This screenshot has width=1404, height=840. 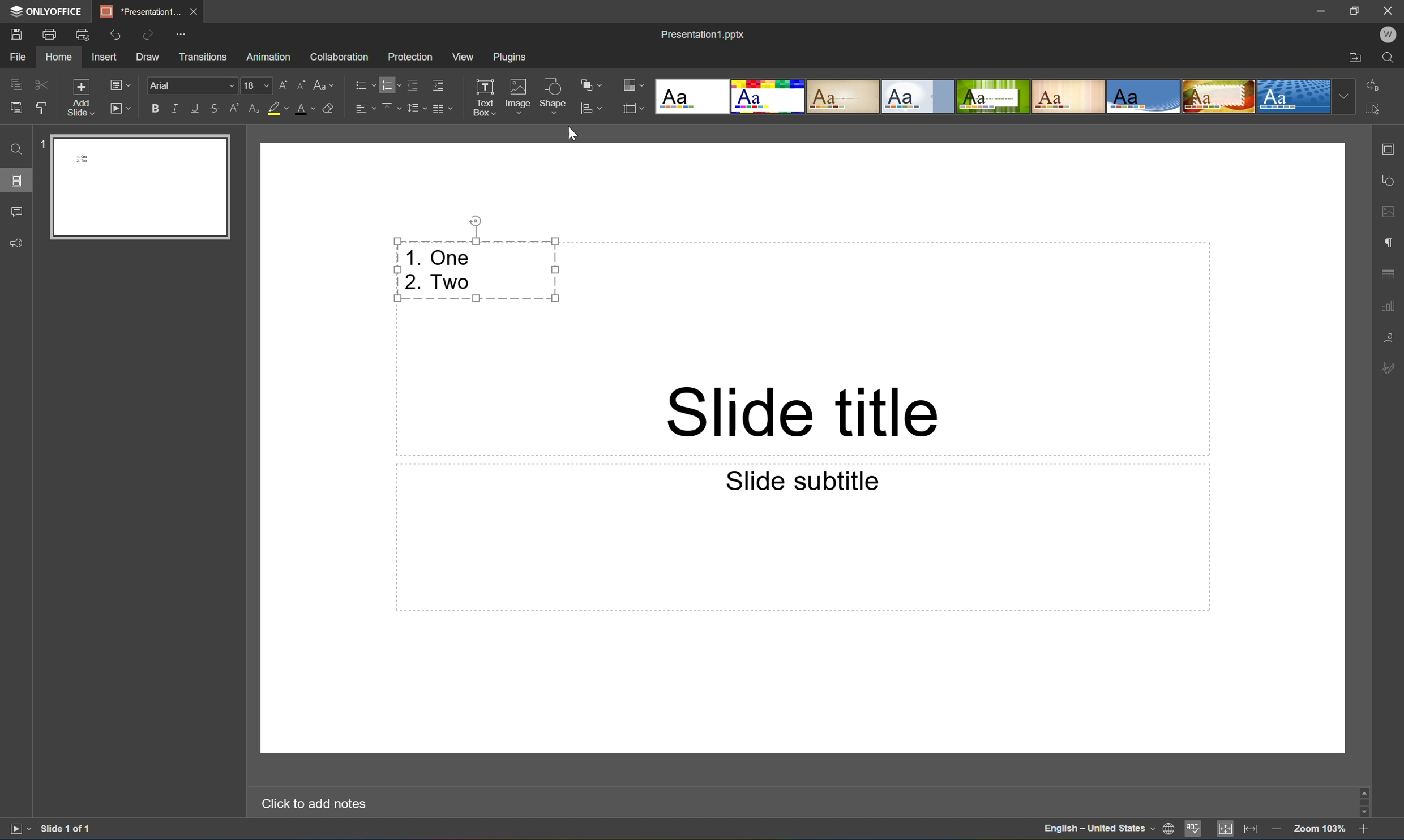 What do you see at coordinates (302, 84) in the screenshot?
I see `Decrement font size` at bounding box center [302, 84].